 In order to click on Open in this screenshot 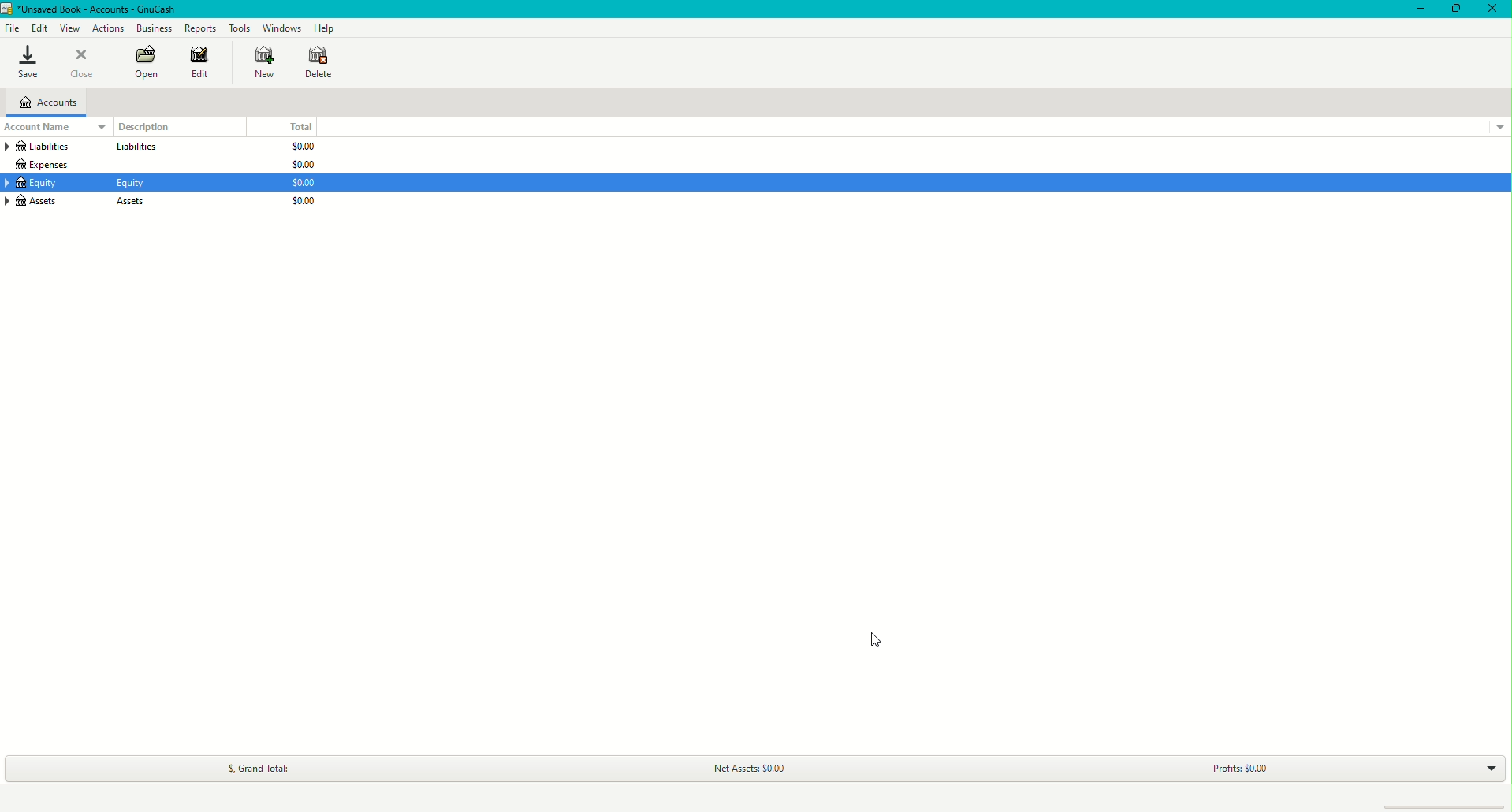, I will do `click(142, 63)`.